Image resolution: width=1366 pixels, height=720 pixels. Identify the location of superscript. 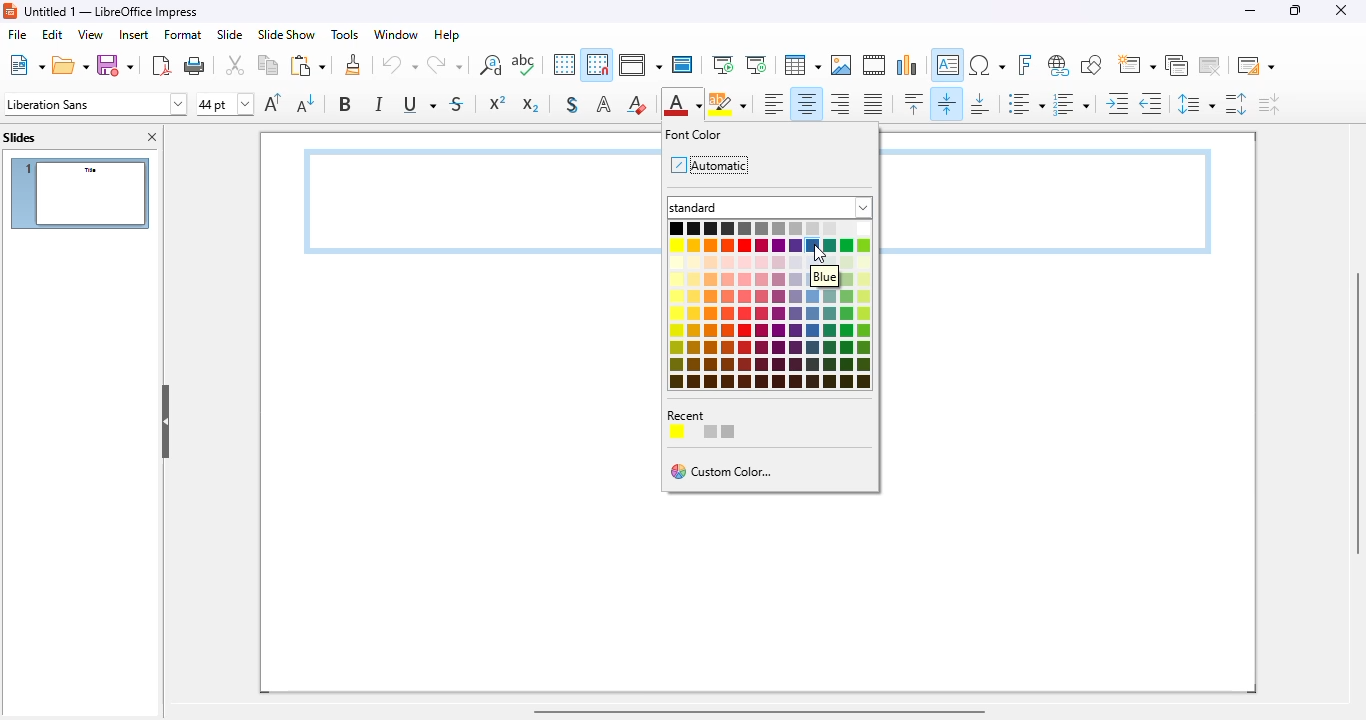
(498, 103).